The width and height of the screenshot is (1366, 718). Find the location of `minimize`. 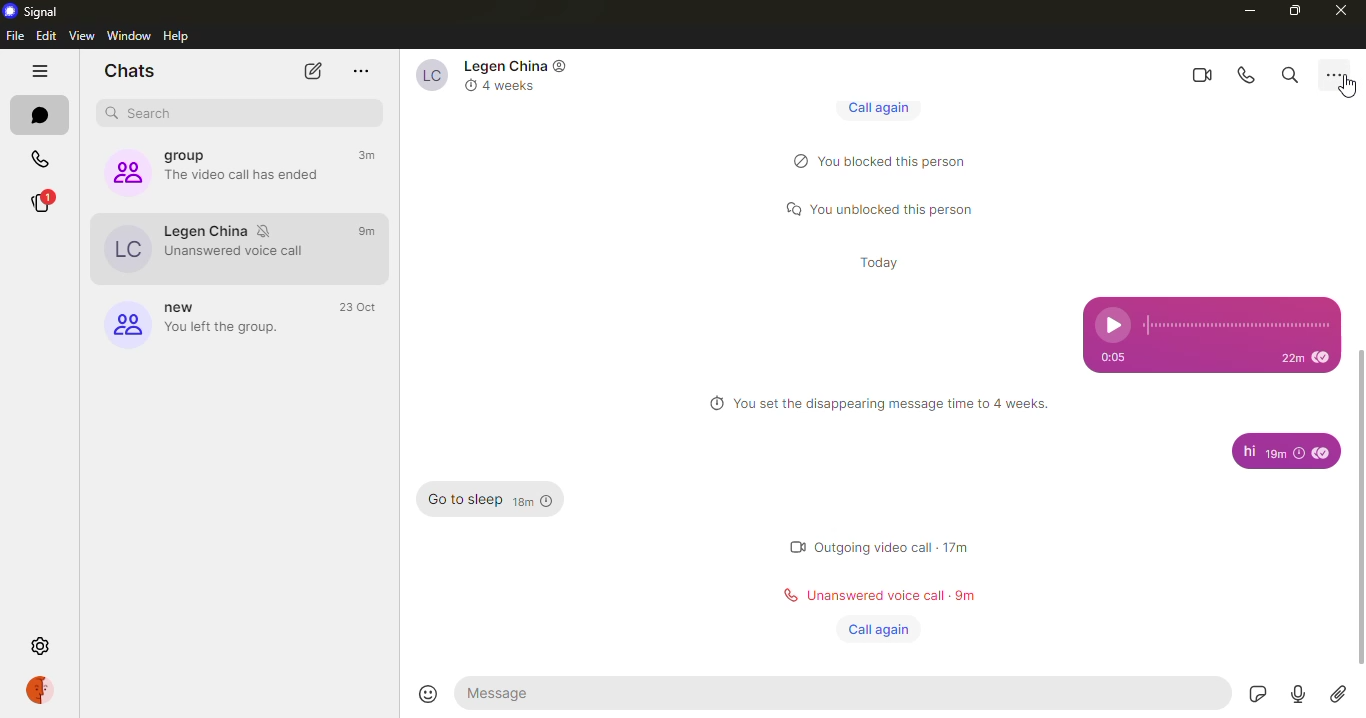

minimize is located at coordinates (1245, 10).